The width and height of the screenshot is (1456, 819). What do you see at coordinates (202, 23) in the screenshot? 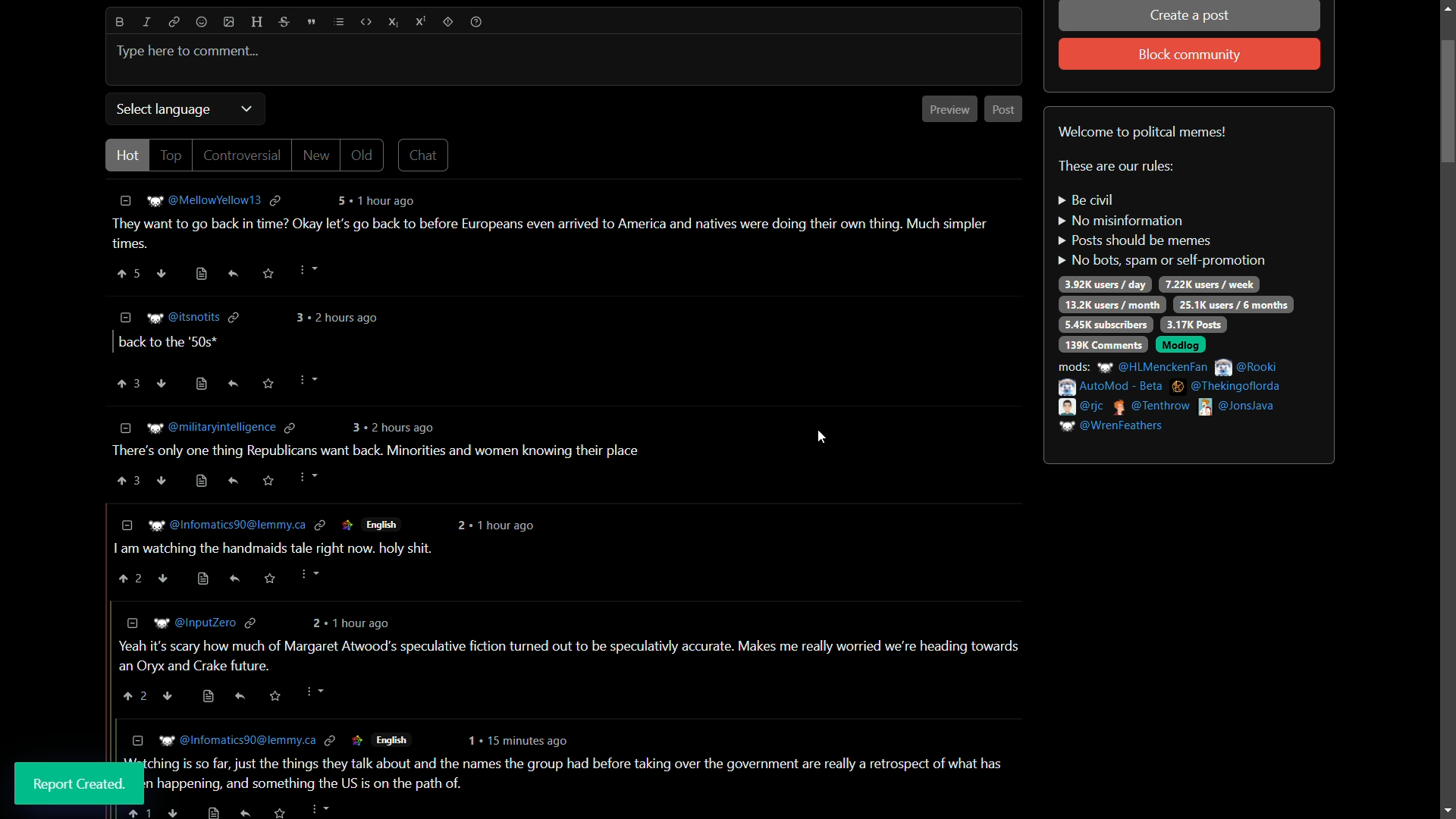
I see `emoji` at bounding box center [202, 23].